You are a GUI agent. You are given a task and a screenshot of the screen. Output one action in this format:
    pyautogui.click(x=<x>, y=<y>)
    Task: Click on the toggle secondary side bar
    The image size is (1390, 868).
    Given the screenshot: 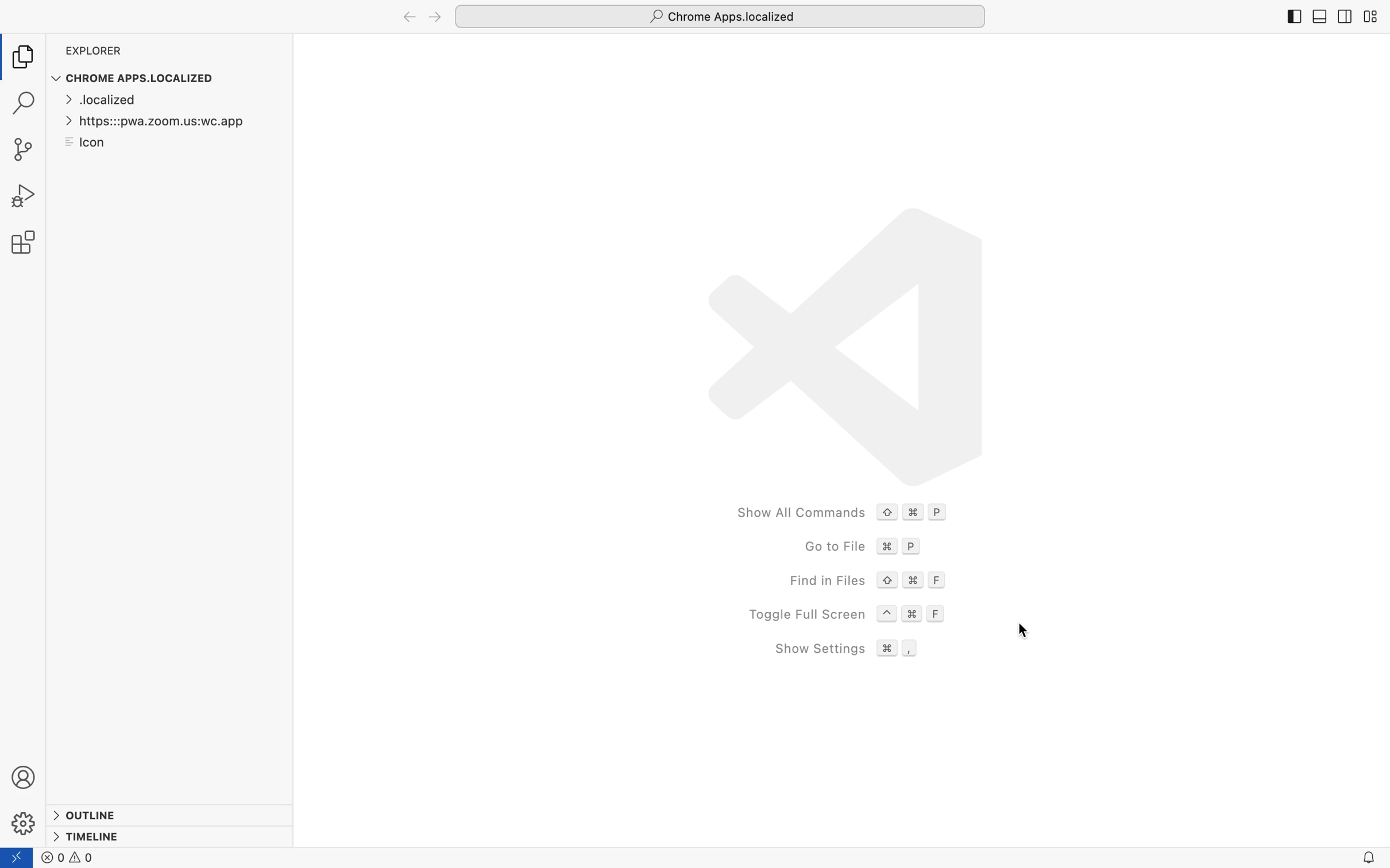 What is the action you would take?
    pyautogui.click(x=1343, y=20)
    